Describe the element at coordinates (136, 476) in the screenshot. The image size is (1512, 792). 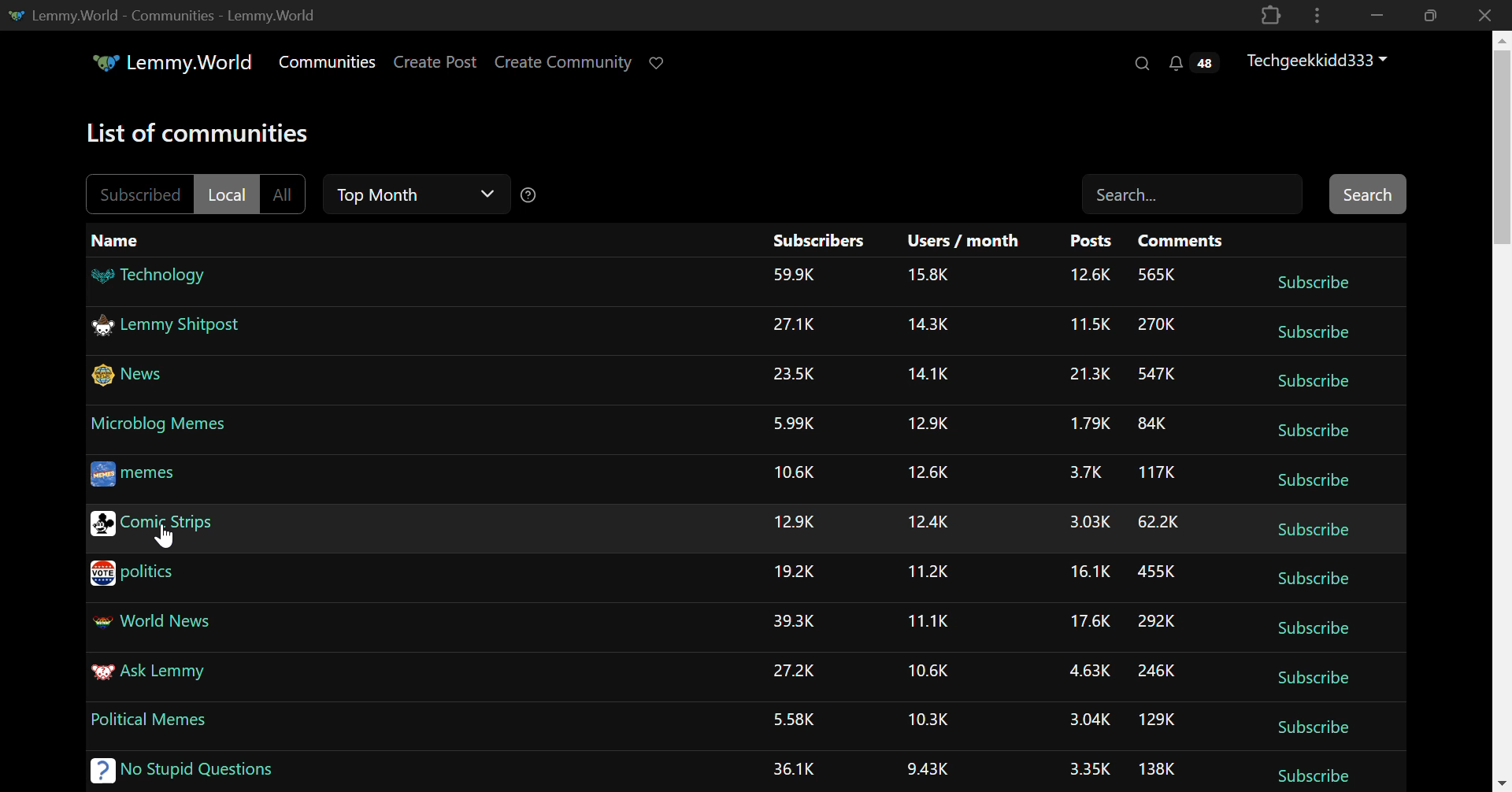
I see `memes` at that location.